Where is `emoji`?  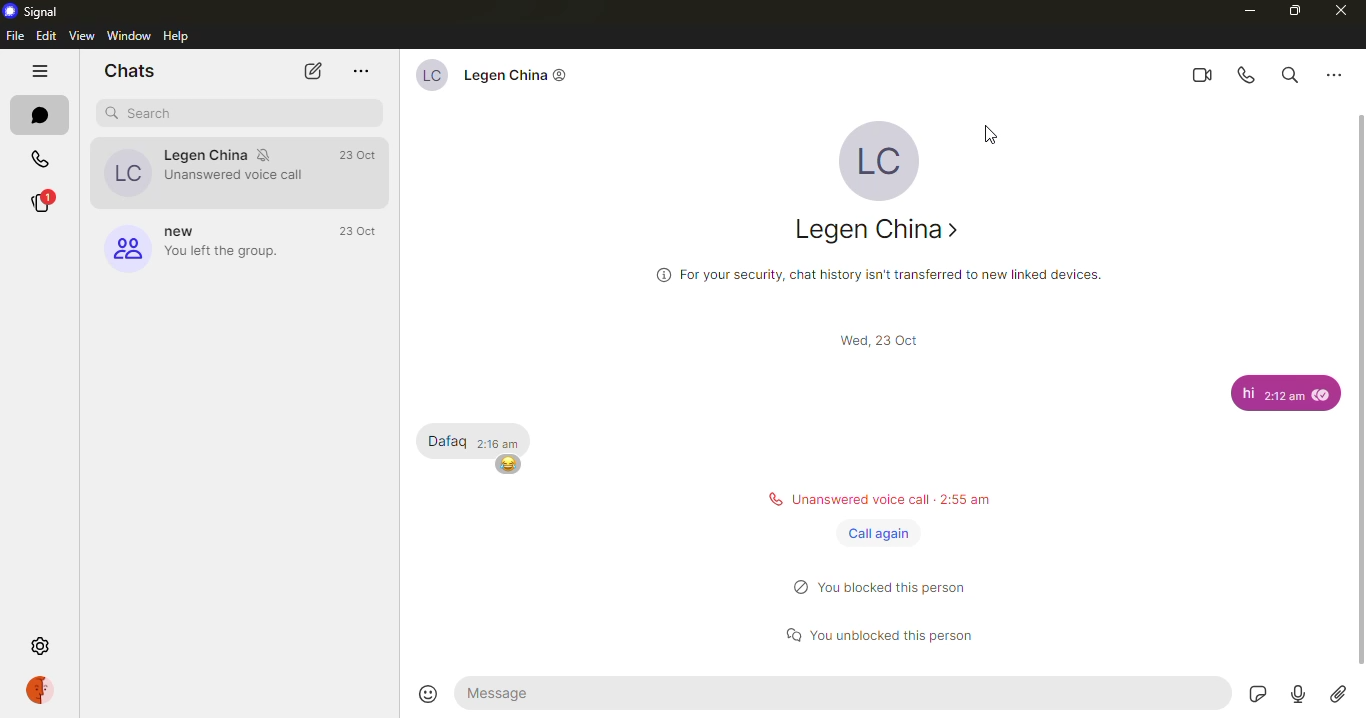
emoji is located at coordinates (509, 465).